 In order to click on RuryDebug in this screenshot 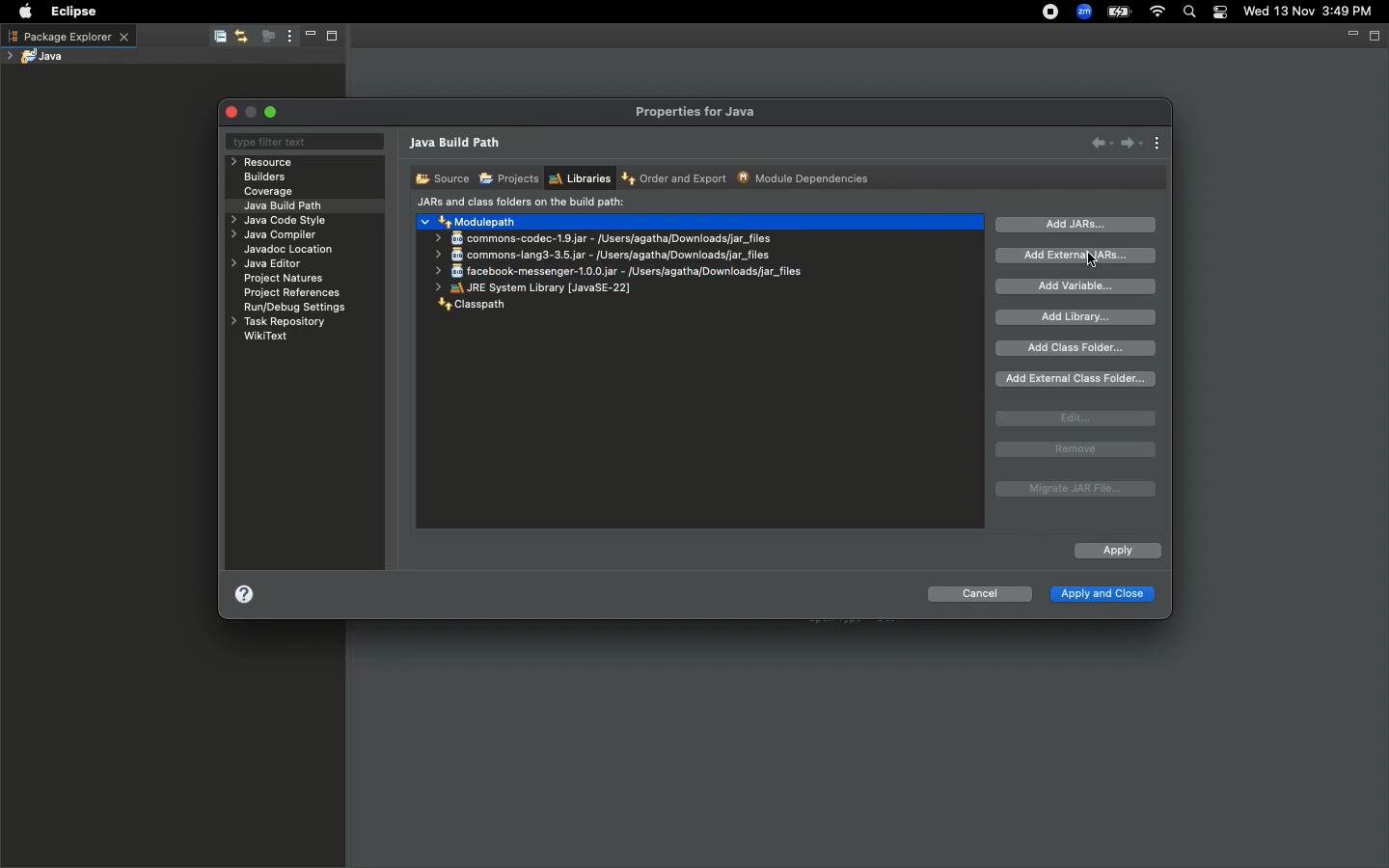, I will do `click(295, 310)`.